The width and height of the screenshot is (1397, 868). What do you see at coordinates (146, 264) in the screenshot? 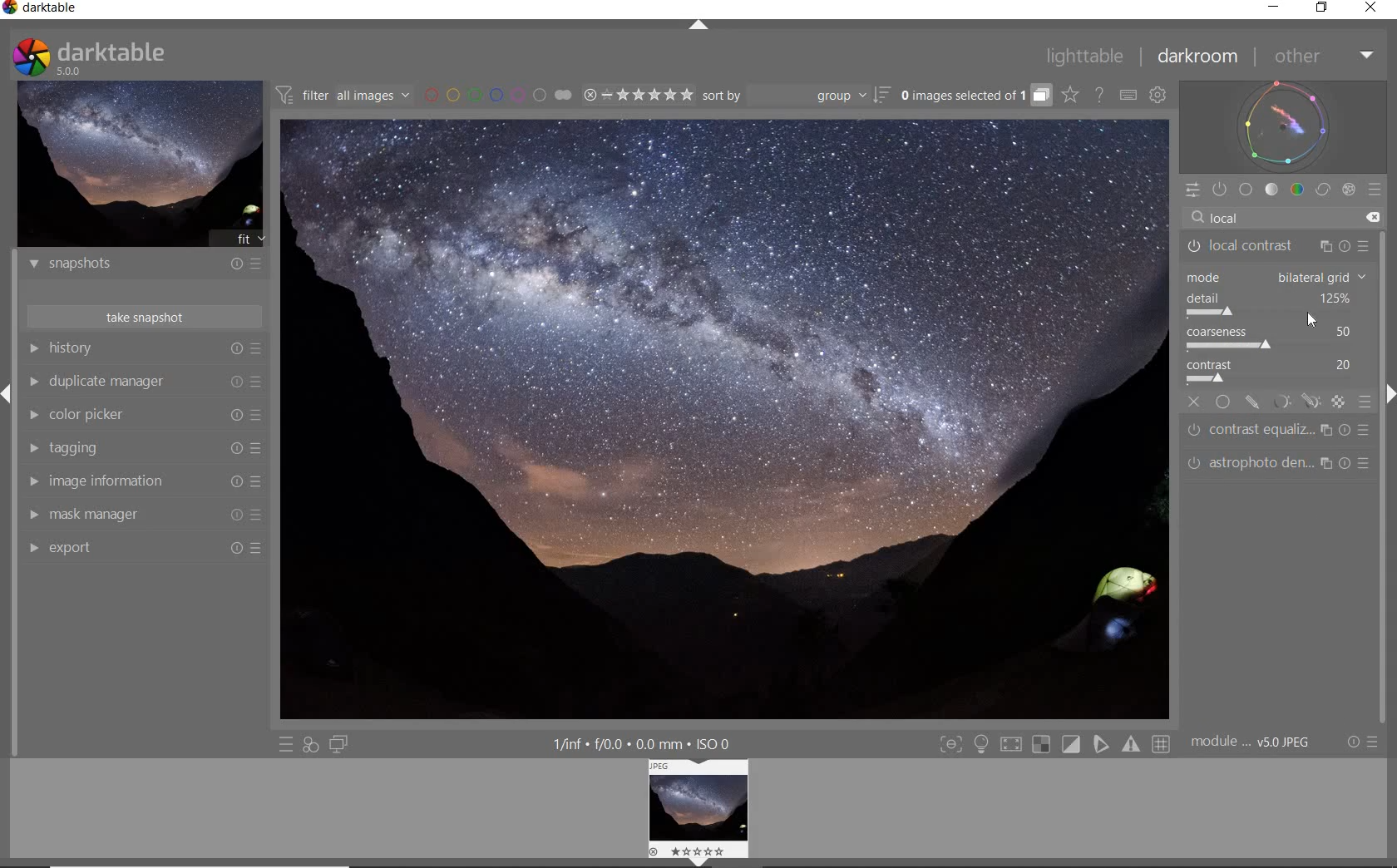
I see `SNAPSHOTS` at bounding box center [146, 264].